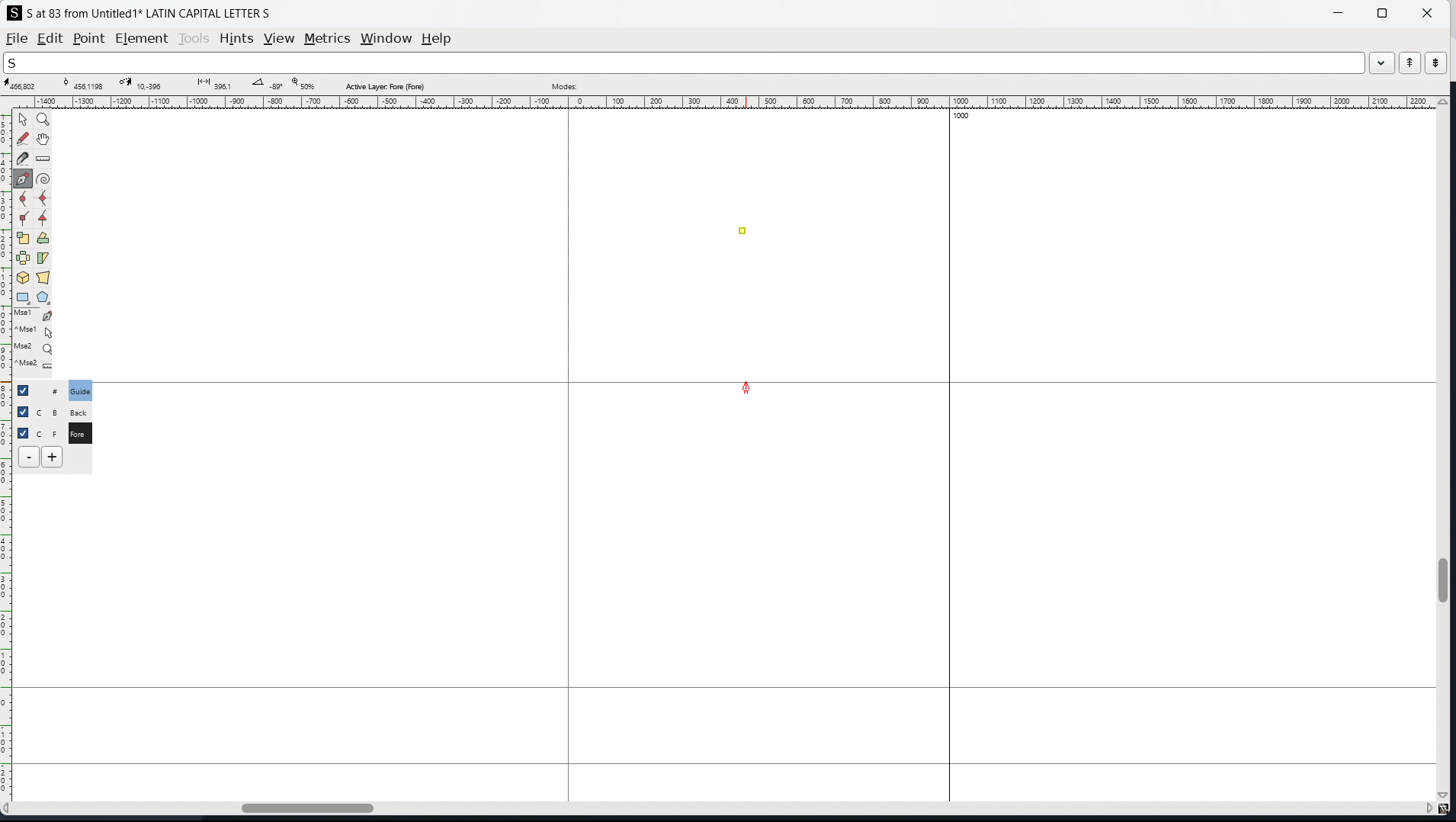 This screenshot has height=822, width=1456. I want to click on S at 83 from Untitled 1 LATIN CAPITAL LETTER S, so click(149, 12).